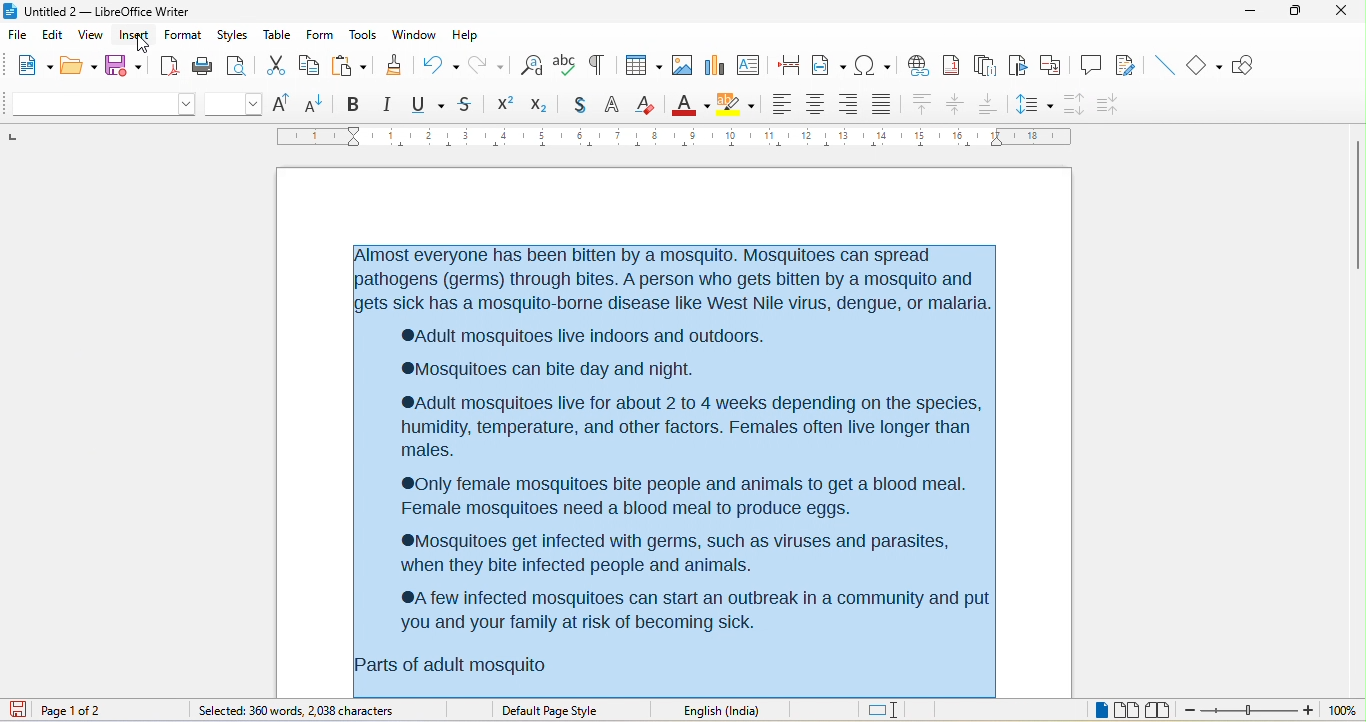  What do you see at coordinates (553, 711) in the screenshot?
I see `default page style` at bounding box center [553, 711].